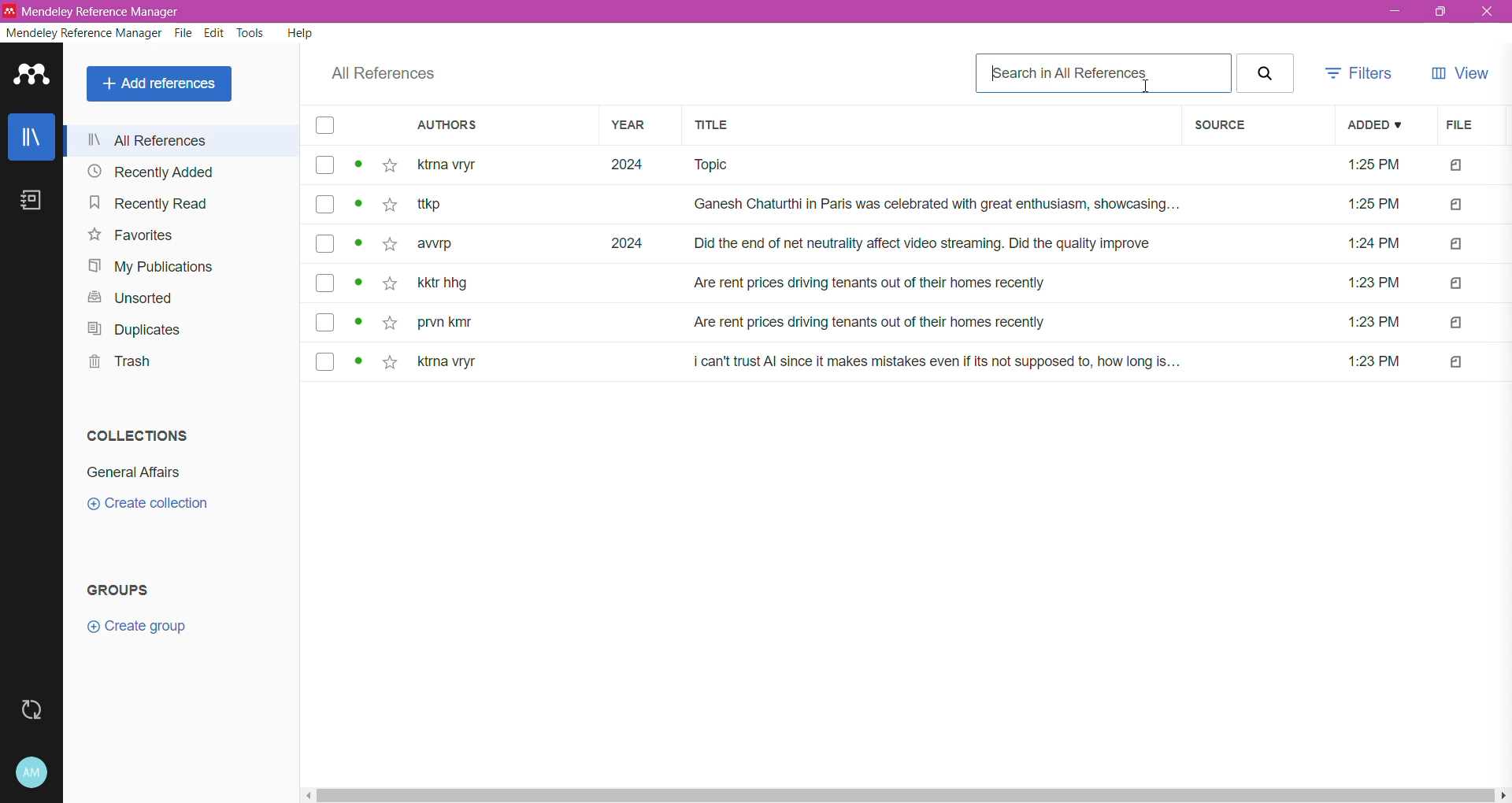  I want to click on view status of the file, so click(359, 322).